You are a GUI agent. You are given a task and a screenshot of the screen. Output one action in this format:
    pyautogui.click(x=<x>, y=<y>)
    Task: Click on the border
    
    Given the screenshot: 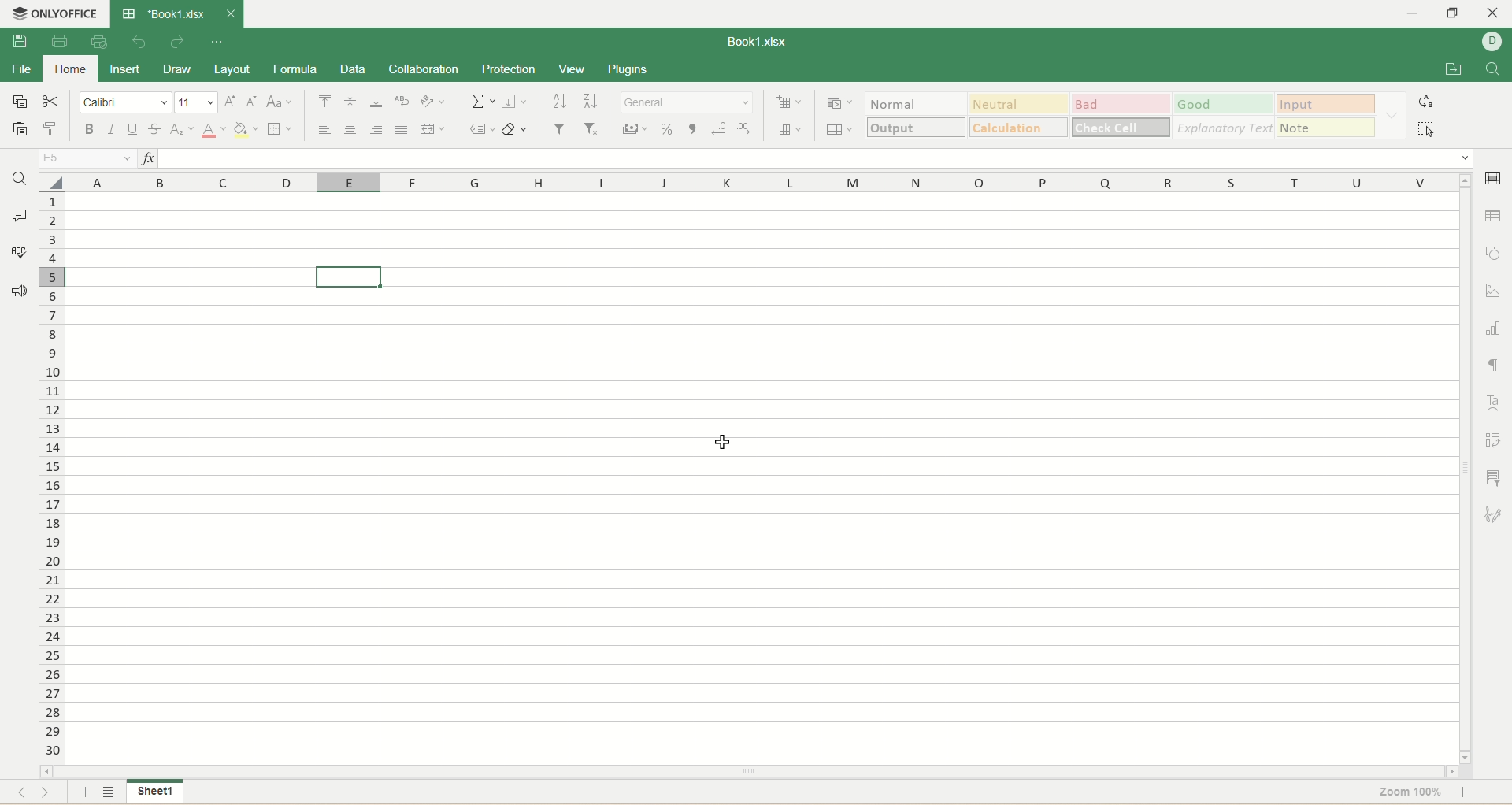 What is the action you would take?
    pyautogui.click(x=280, y=132)
    